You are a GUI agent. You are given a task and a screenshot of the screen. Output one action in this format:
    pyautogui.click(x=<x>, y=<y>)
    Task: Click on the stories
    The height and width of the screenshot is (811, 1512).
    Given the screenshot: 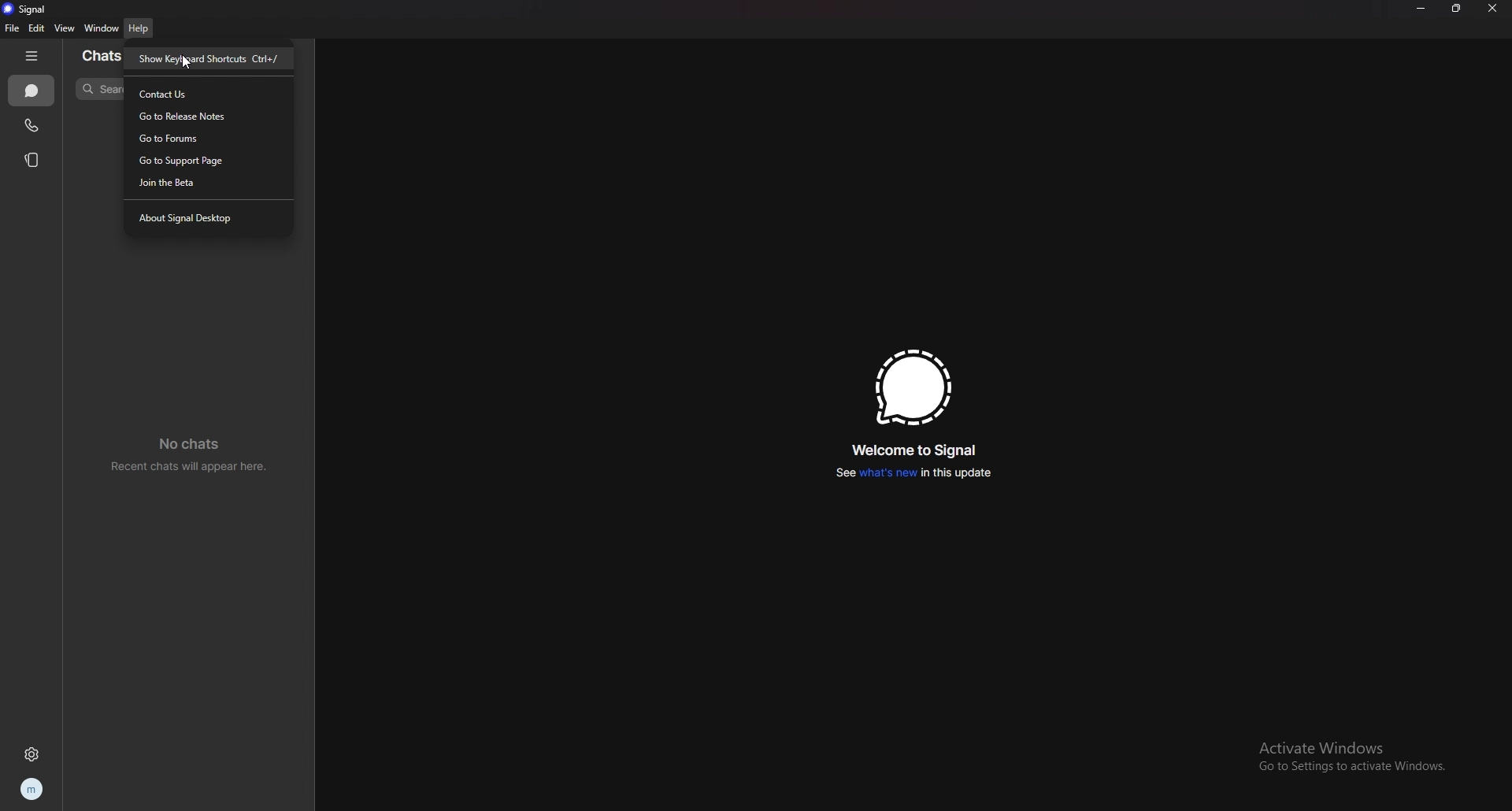 What is the action you would take?
    pyautogui.click(x=31, y=160)
    